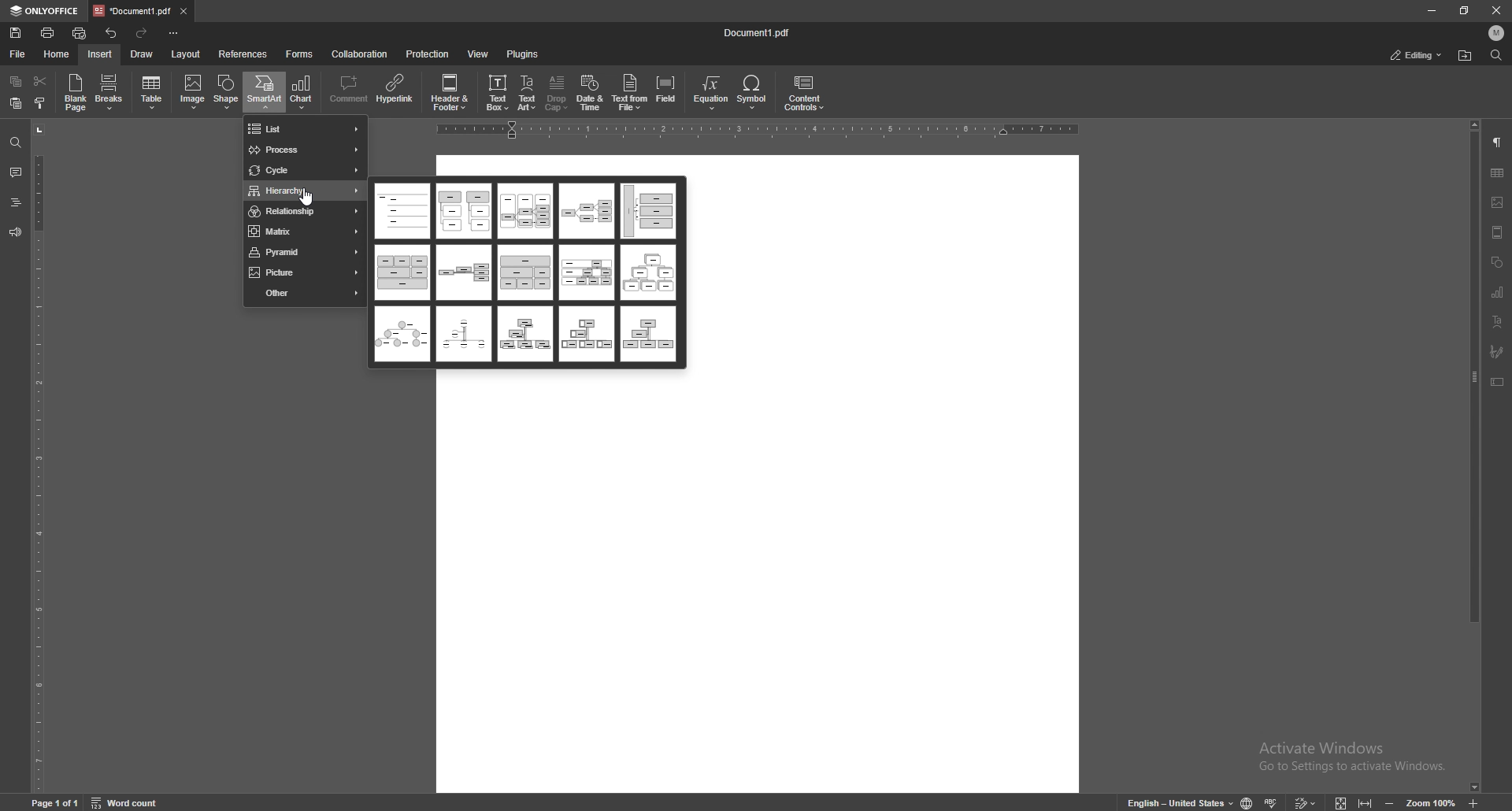  I want to click on redo, so click(142, 33).